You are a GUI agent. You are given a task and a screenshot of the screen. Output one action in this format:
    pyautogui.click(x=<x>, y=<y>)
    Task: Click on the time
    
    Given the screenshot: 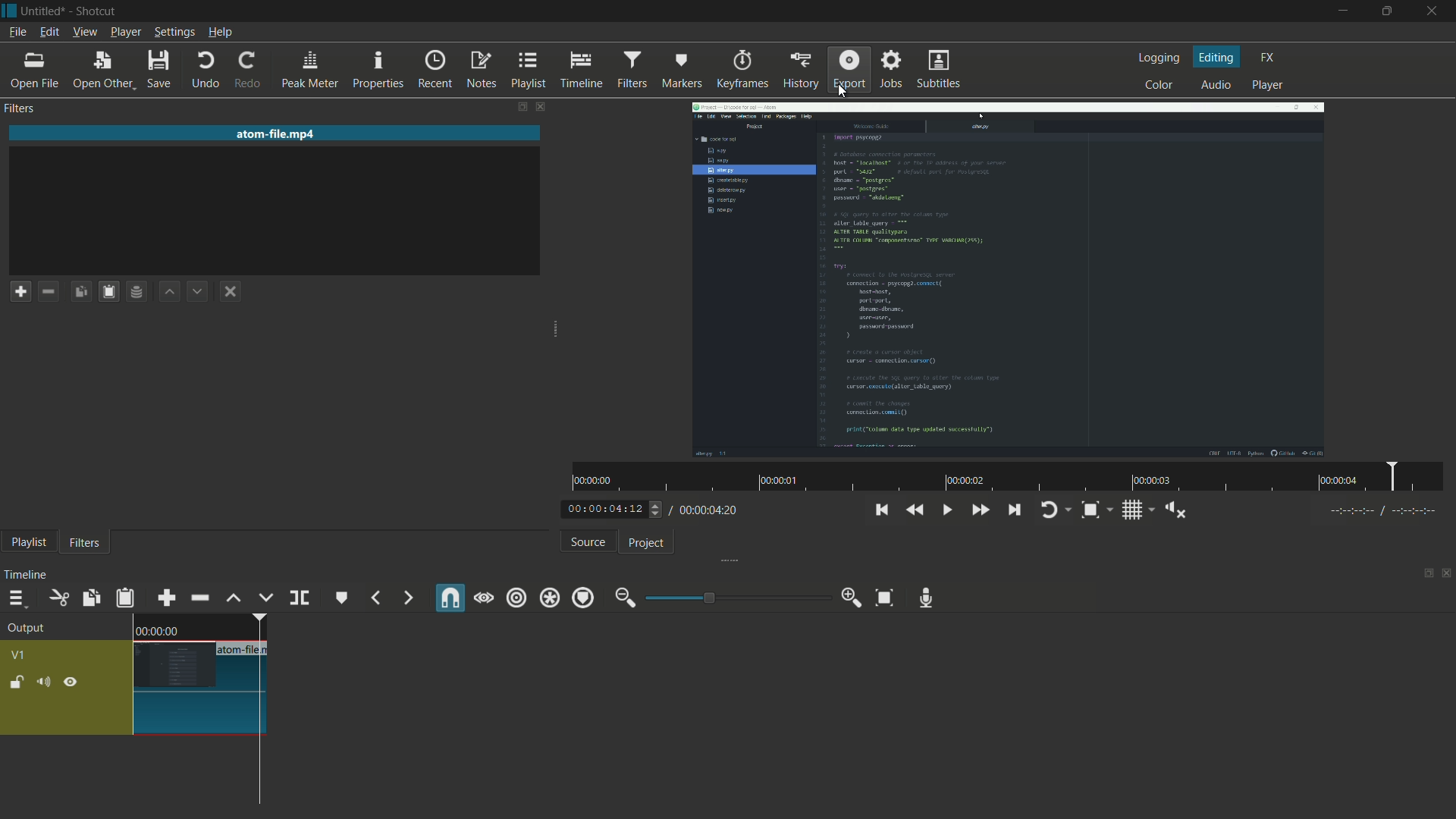 What is the action you would take?
    pyautogui.click(x=157, y=630)
    